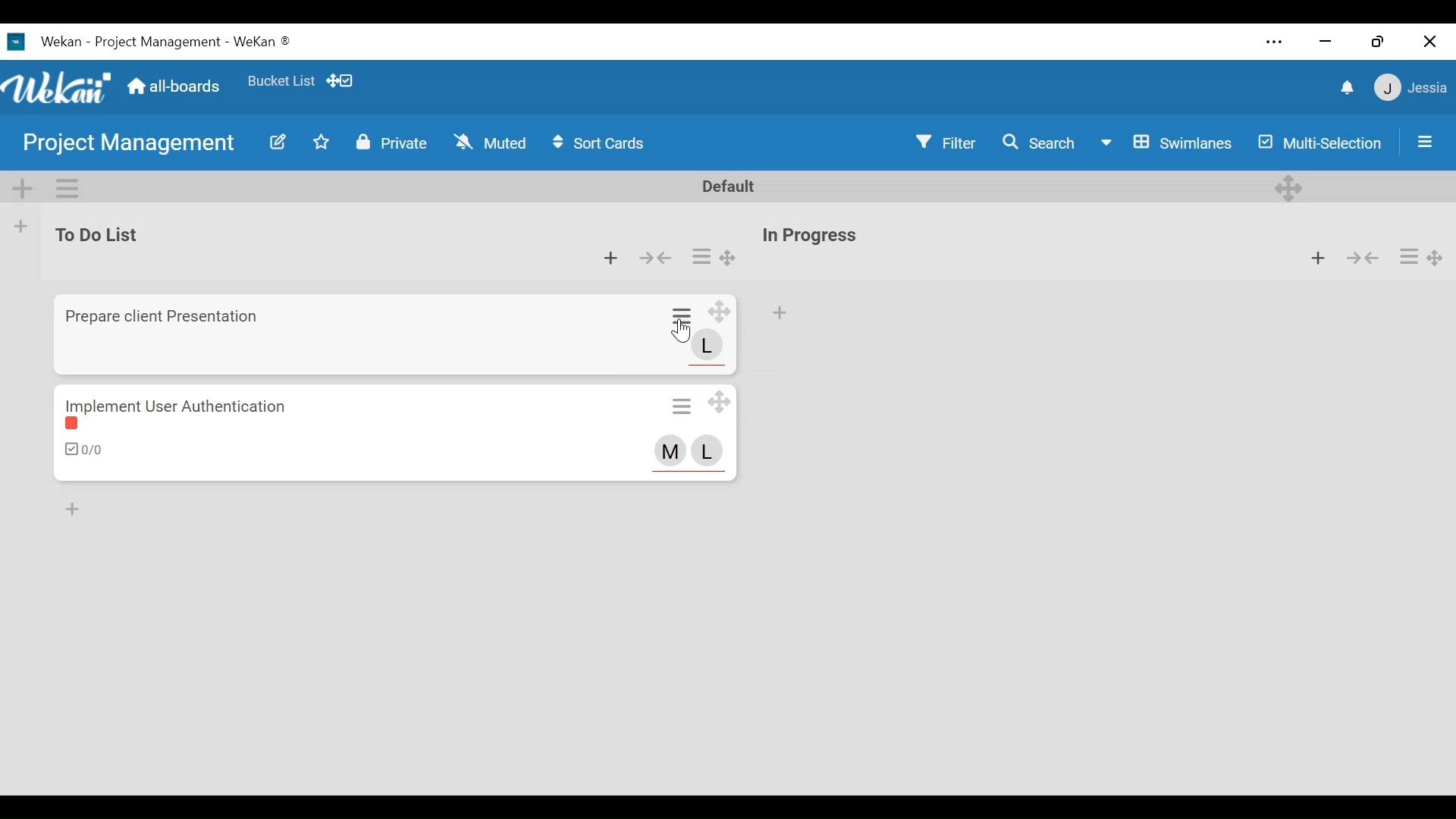 Image resolution: width=1456 pixels, height=819 pixels. Describe the element at coordinates (671, 450) in the screenshot. I see `Member` at that location.